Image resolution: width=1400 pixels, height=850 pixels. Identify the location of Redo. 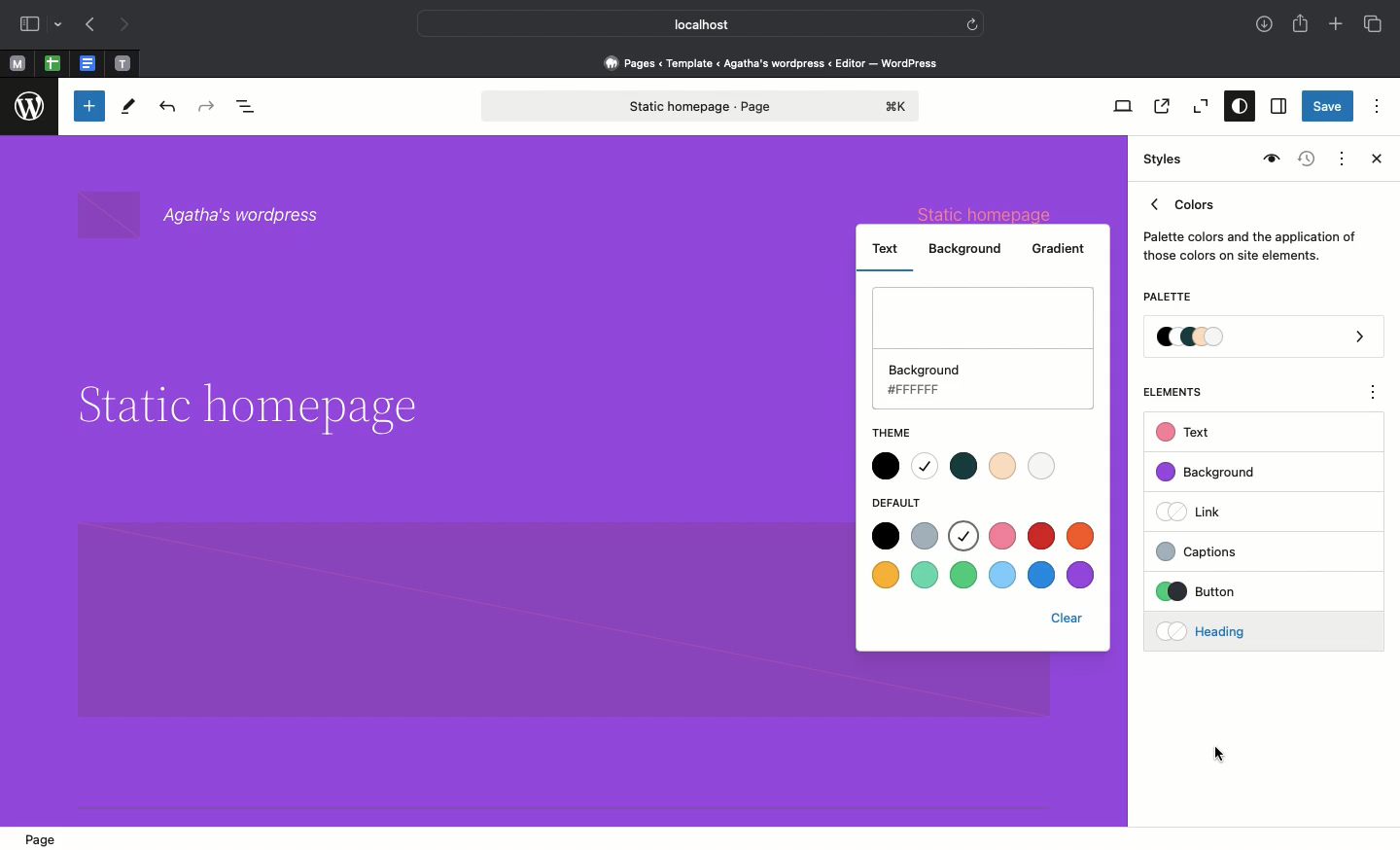
(209, 107).